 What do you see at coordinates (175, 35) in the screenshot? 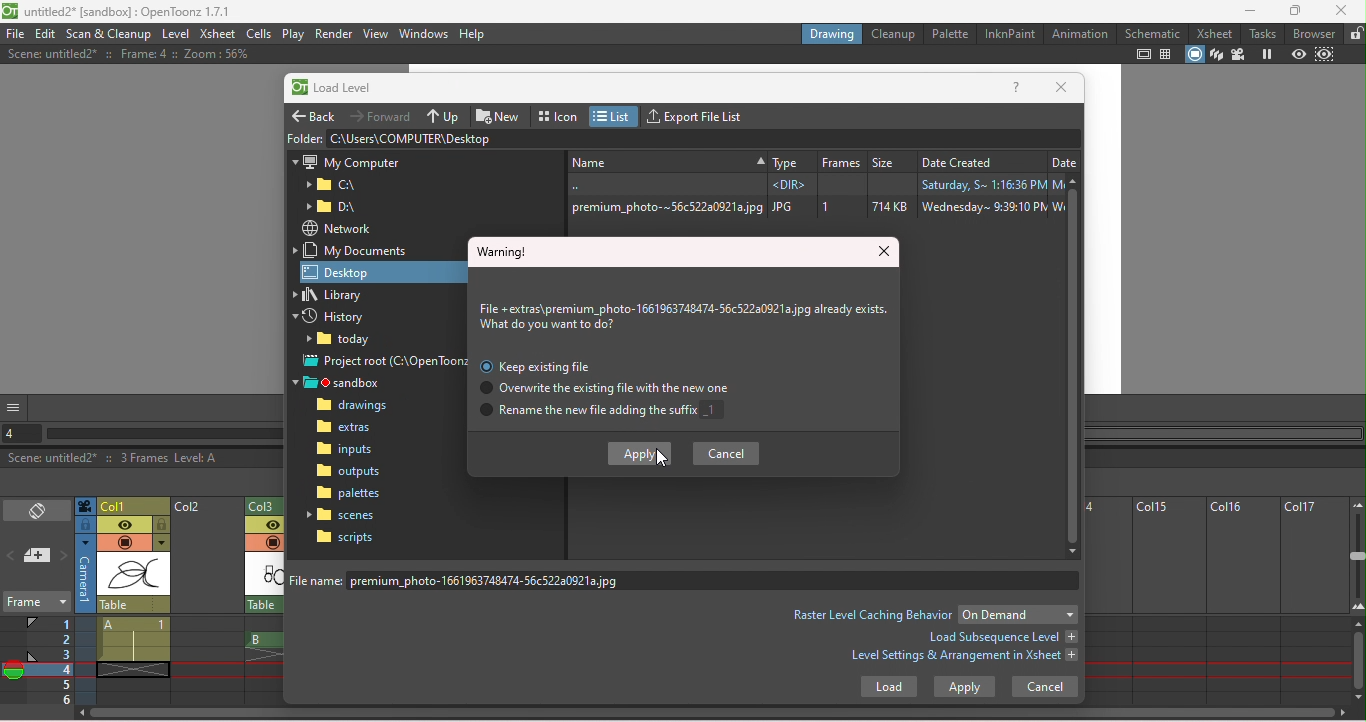
I see `Level` at bounding box center [175, 35].